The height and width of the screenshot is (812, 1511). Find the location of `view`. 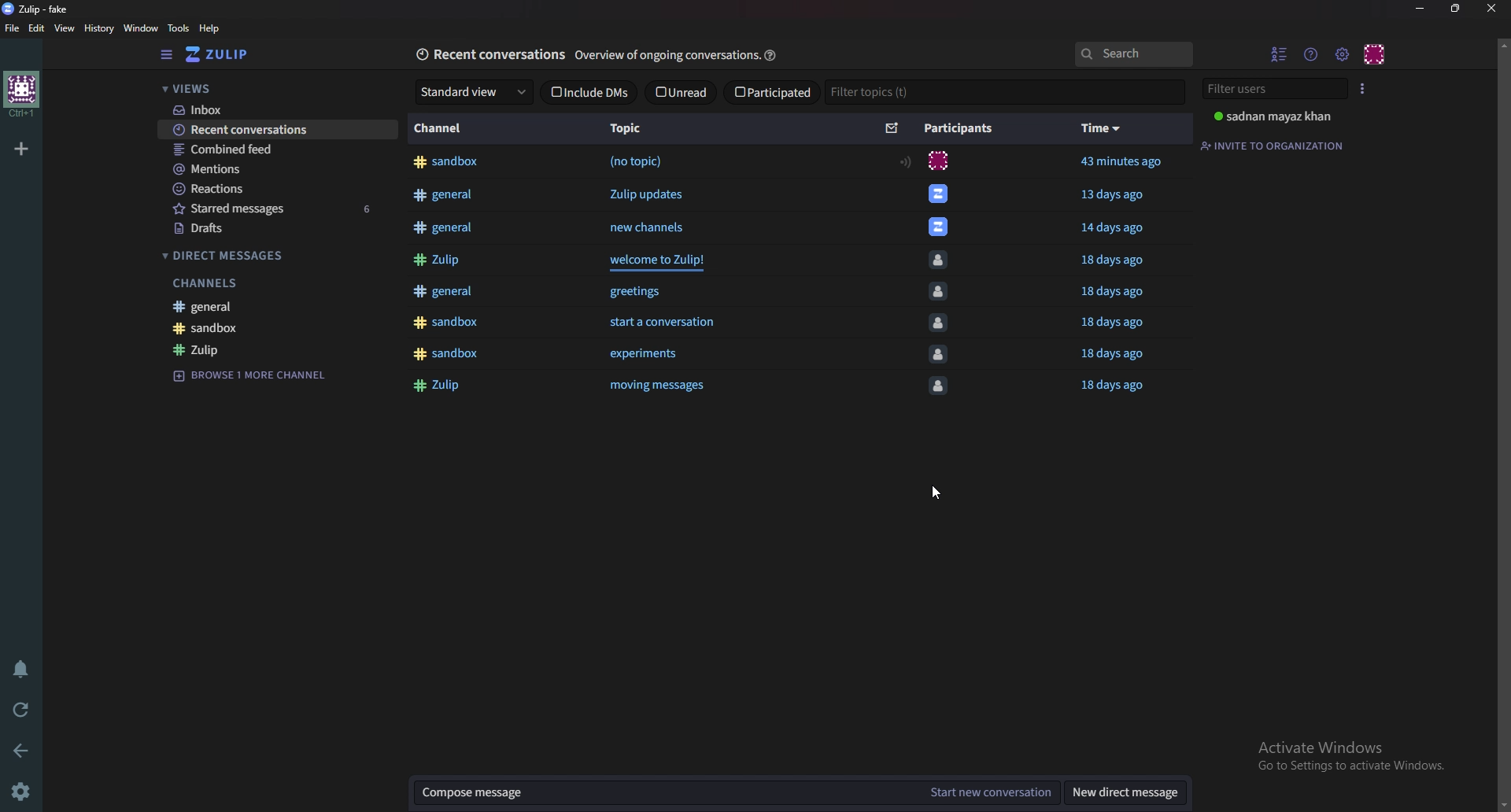

view is located at coordinates (68, 28).